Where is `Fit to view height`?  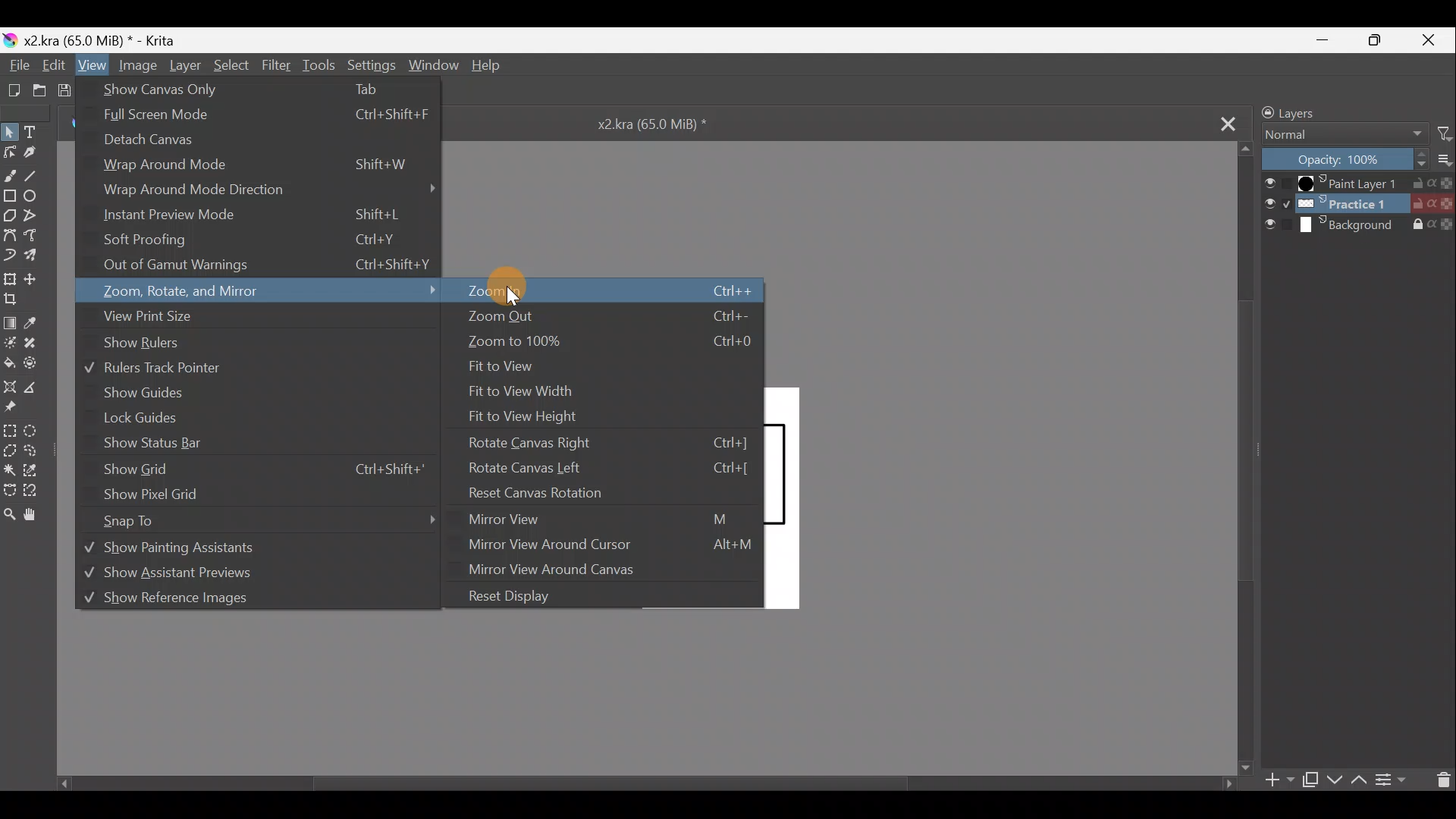 Fit to view height is located at coordinates (528, 417).